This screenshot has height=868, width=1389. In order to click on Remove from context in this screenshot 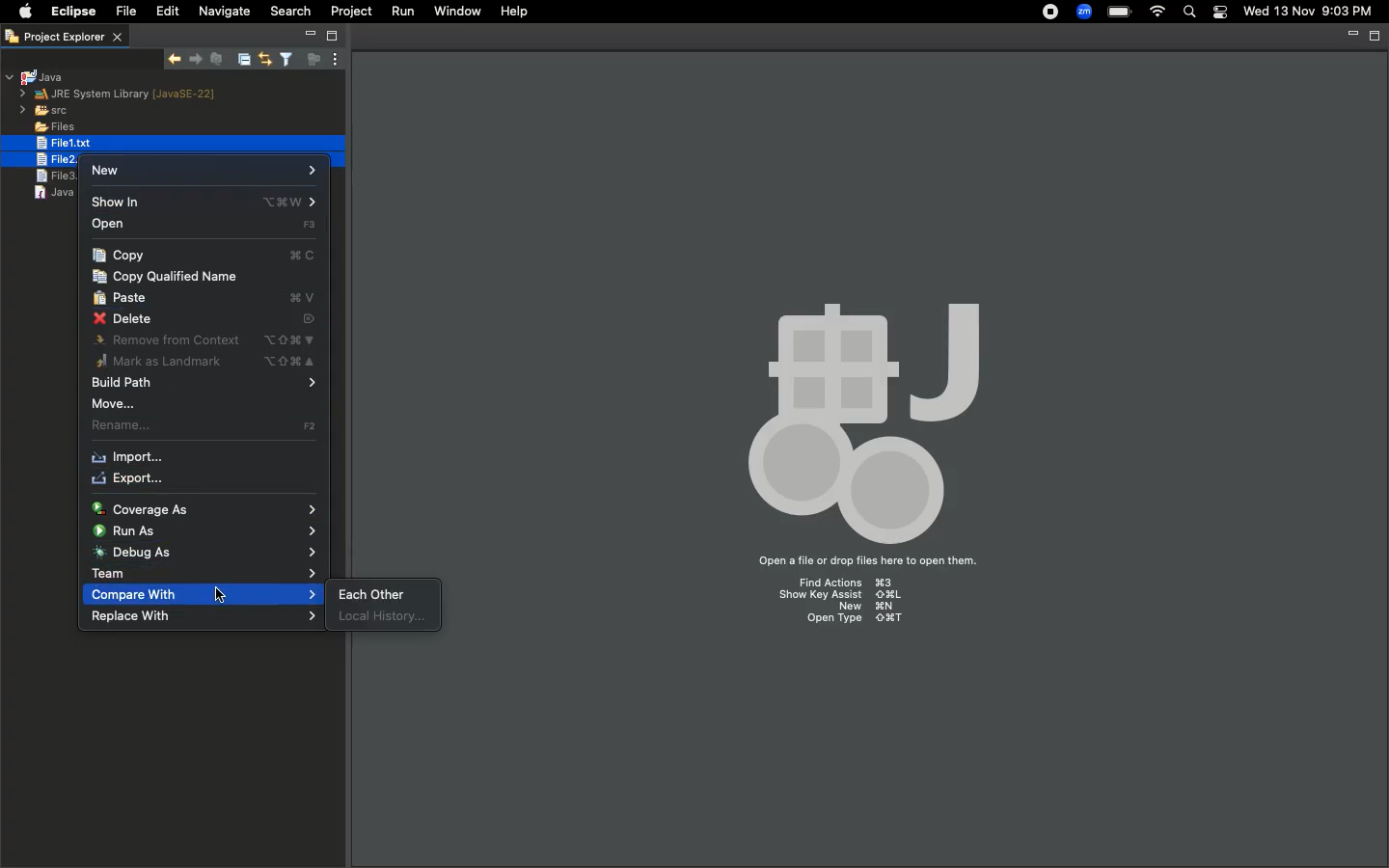, I will do `click(205, 339)`.